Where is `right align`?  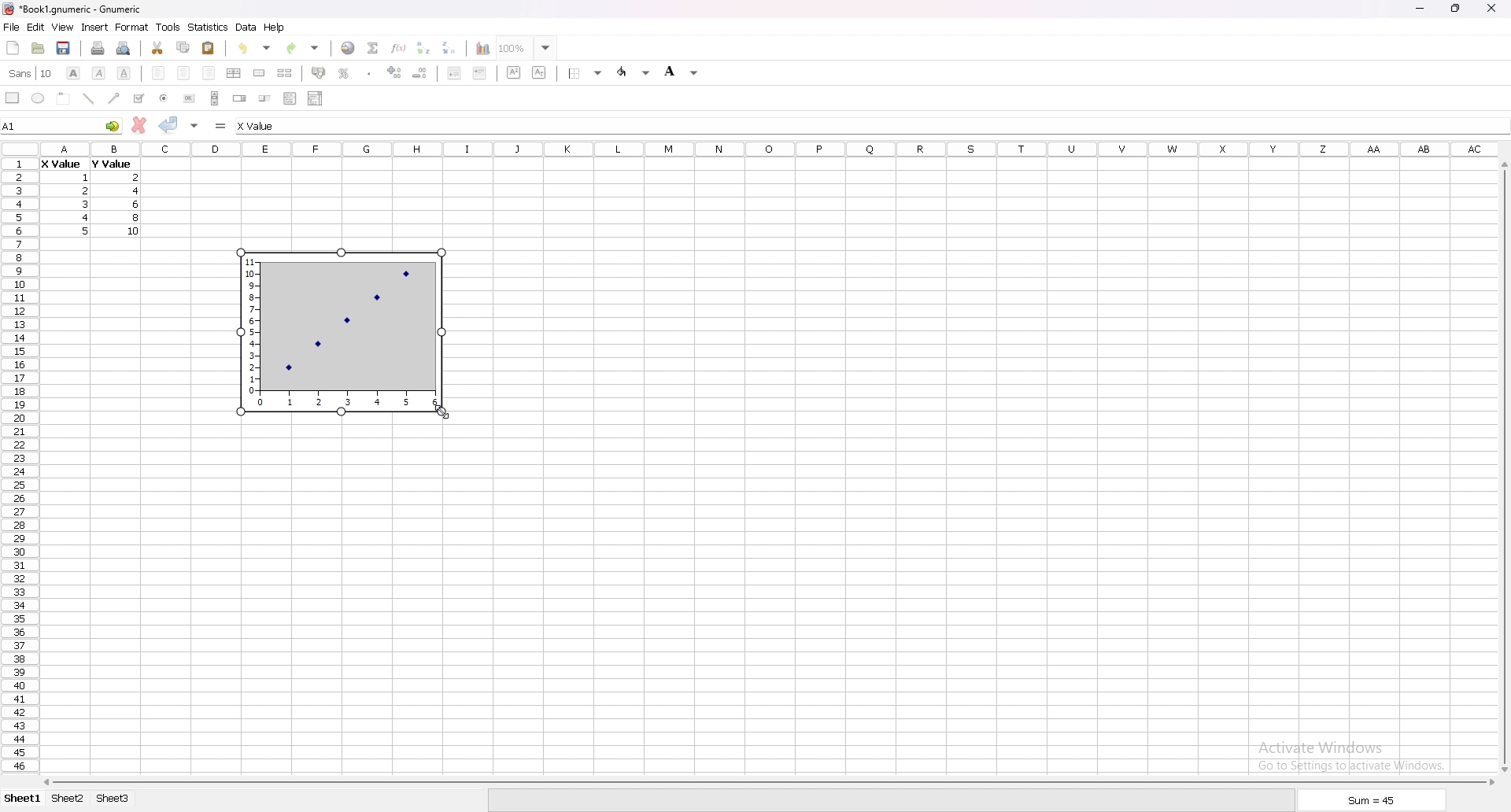 right align is located at coordinates (209, 73).